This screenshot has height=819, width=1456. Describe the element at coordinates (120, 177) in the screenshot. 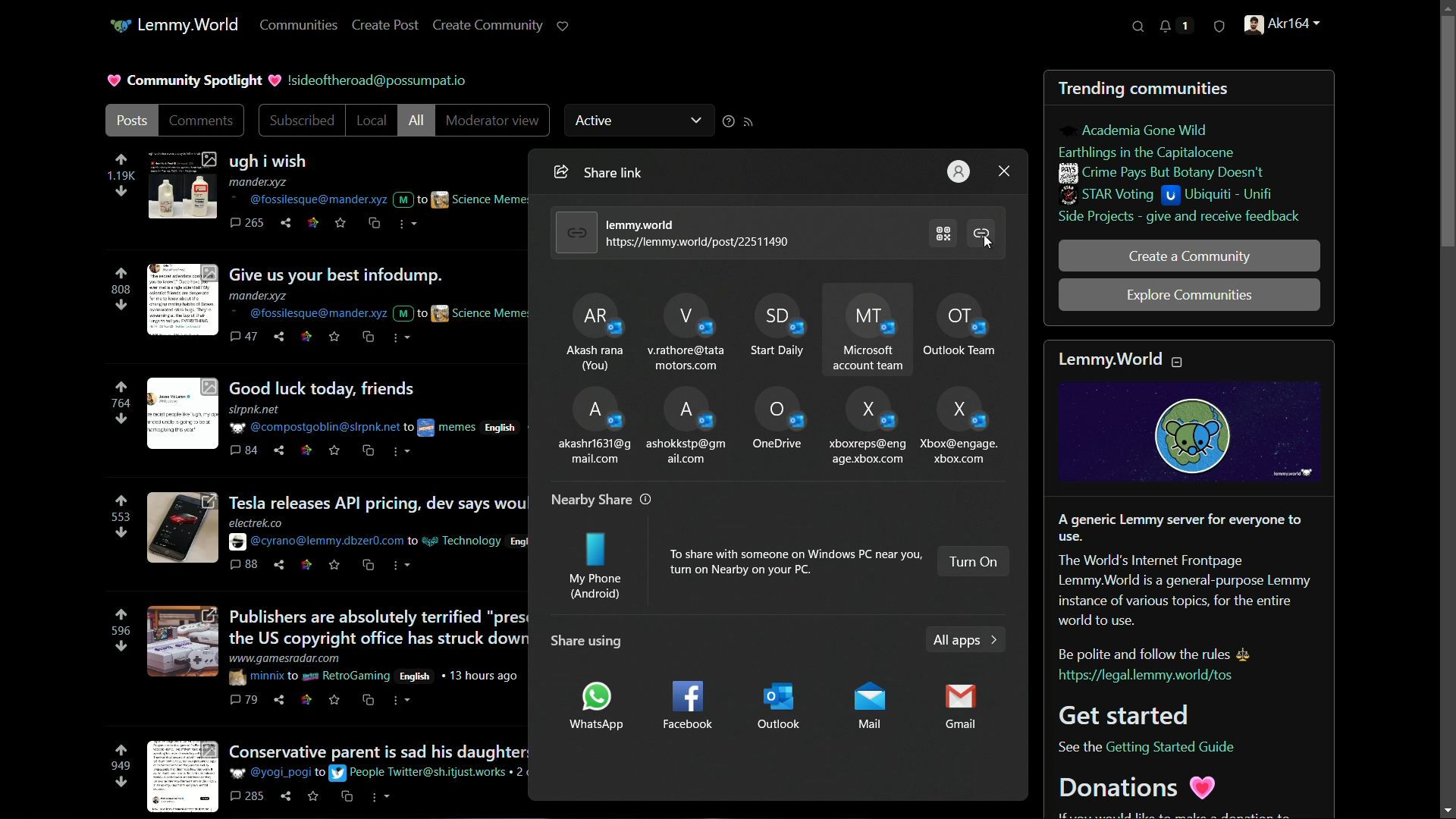

I see `1.19k` at that location.